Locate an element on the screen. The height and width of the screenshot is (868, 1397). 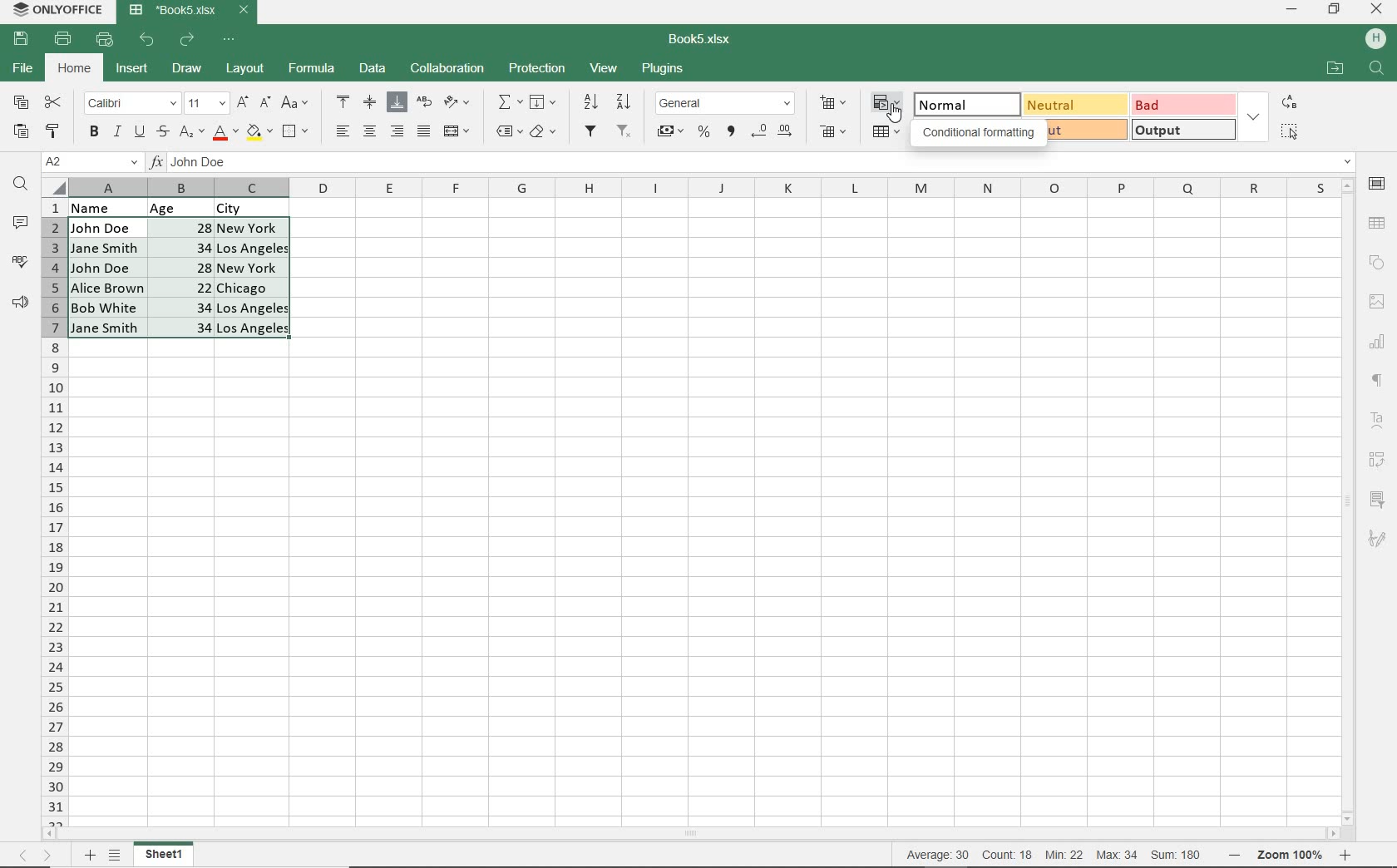
NEUTRAL is located at coordinates (1073, 104).